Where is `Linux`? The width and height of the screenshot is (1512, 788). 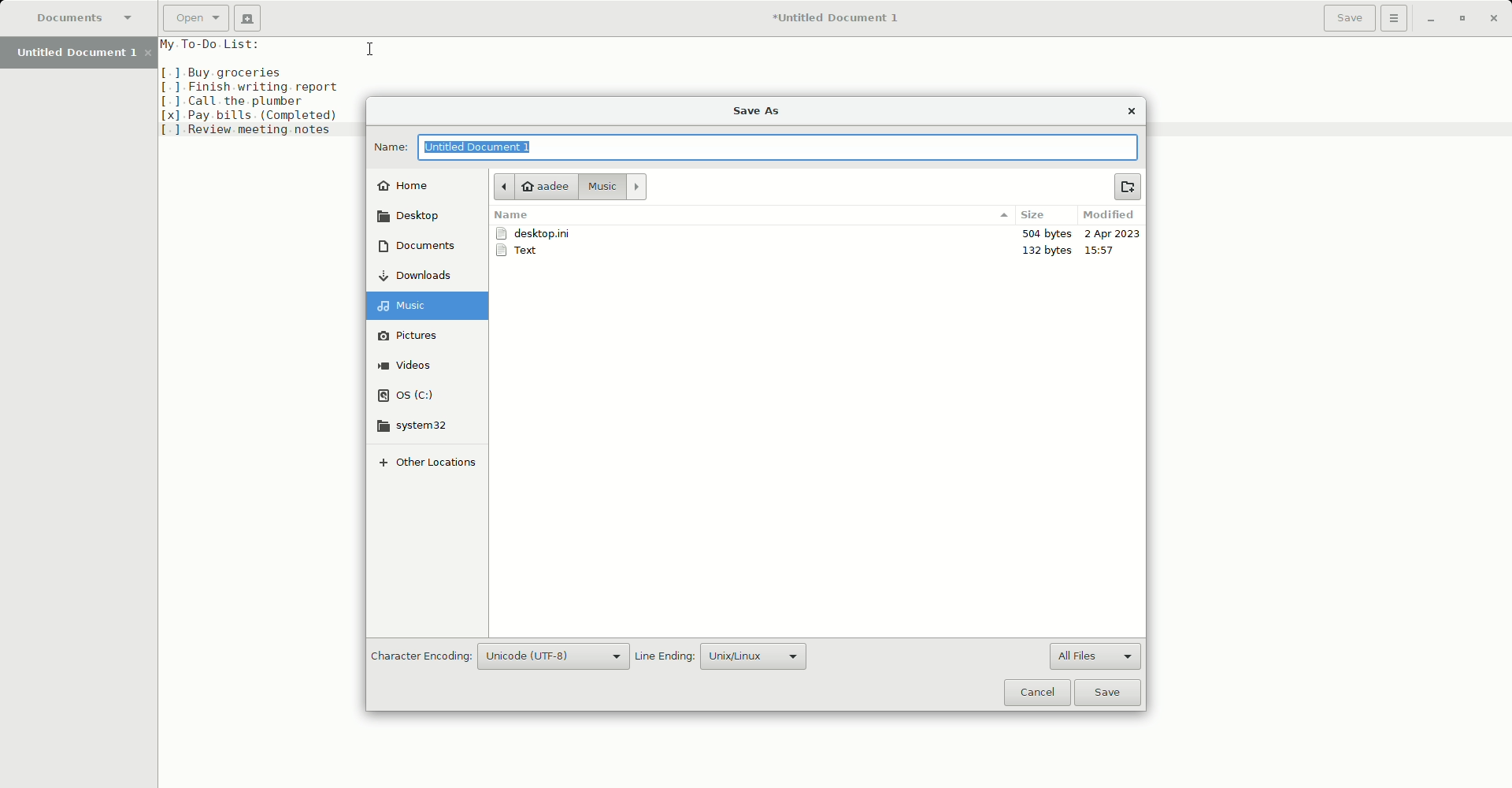 Linux is located at coordinates (752, 654).